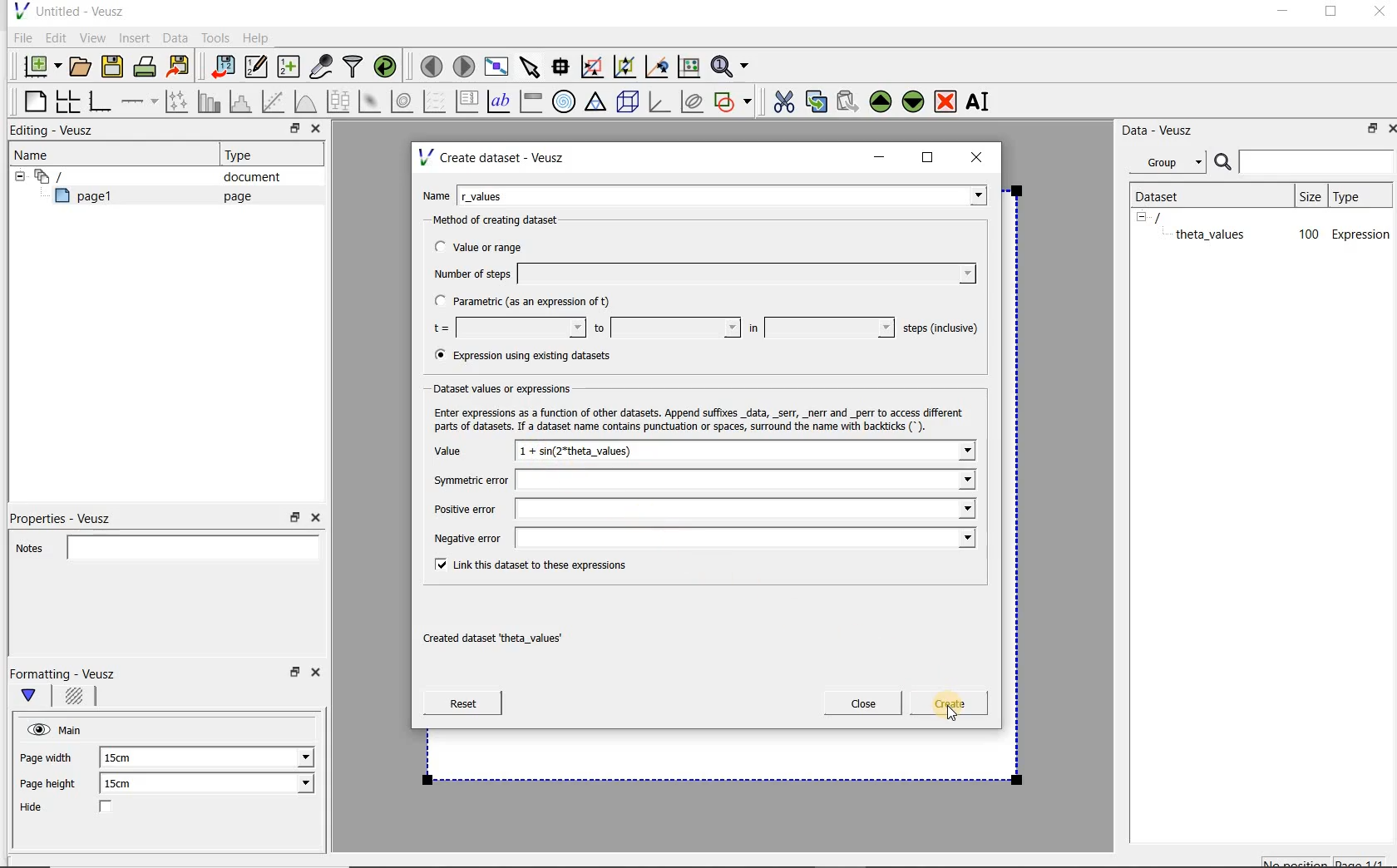  What do you see at coordinates (1366, 861) in the screenshot?
I see `page1/1` at bounding box center [1366, 861].